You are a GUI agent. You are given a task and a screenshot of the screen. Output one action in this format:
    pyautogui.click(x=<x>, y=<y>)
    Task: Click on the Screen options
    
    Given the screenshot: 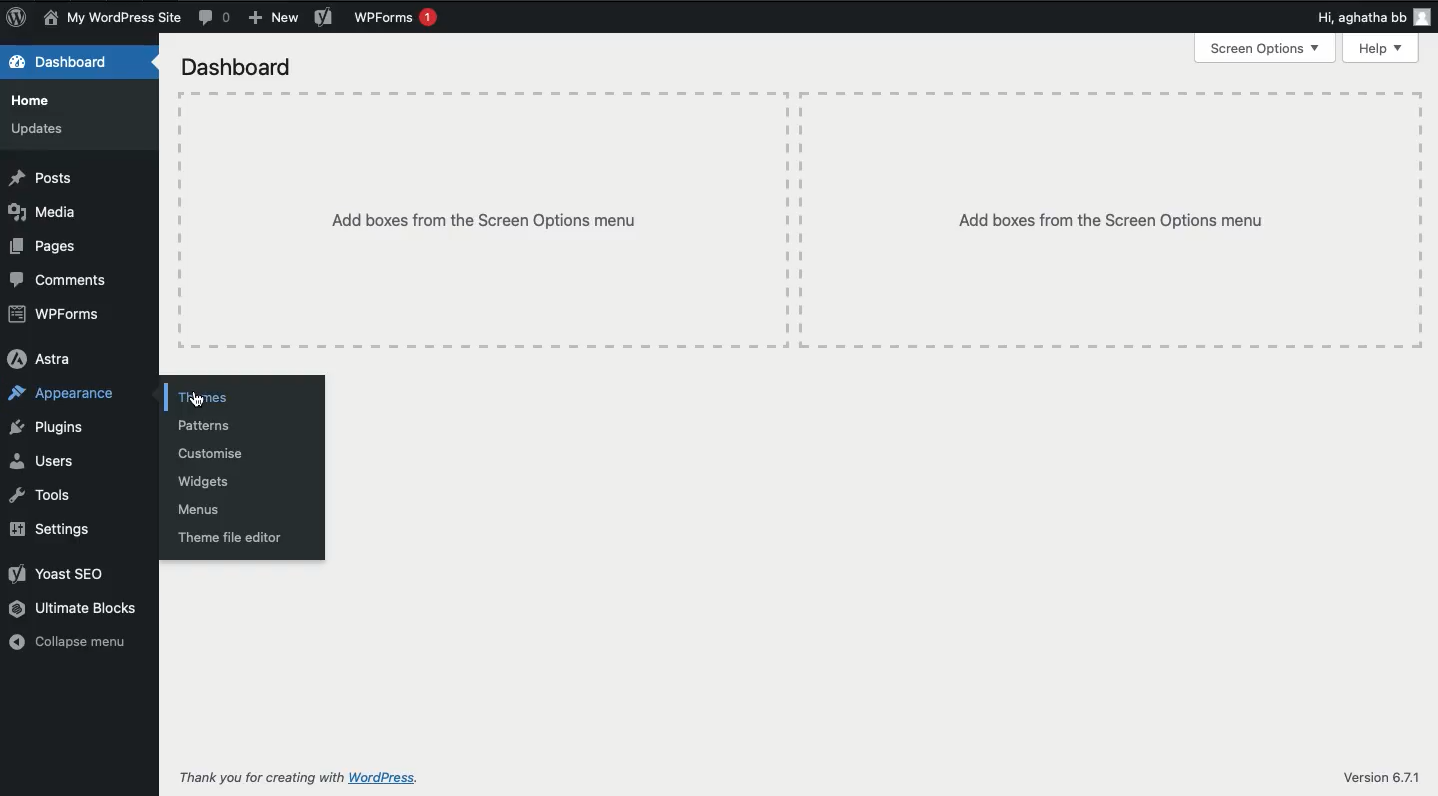 What is the action you would take?
    pyautogui.click(x=1265, y=51)
    